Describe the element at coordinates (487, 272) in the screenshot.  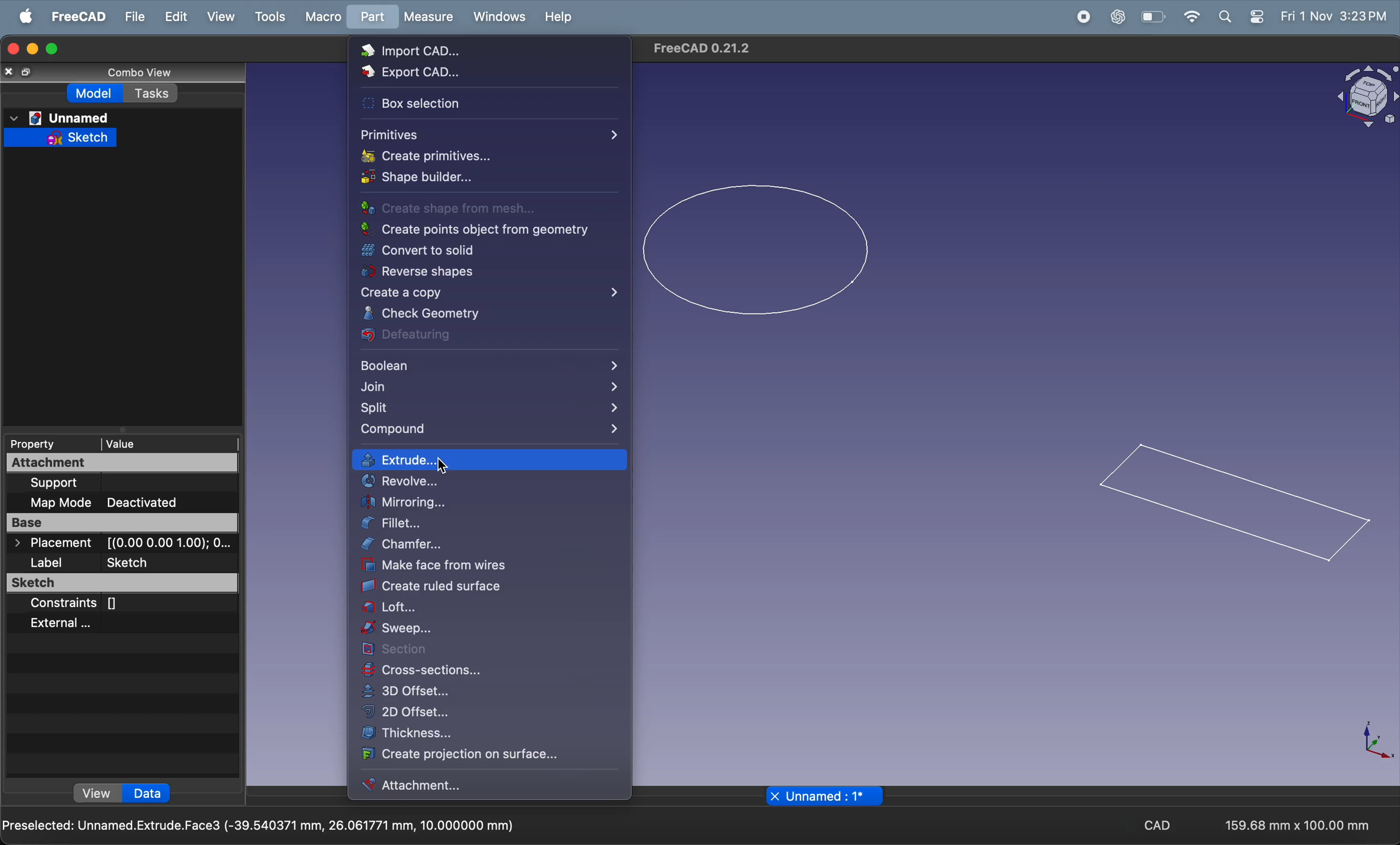
I see `Reverse shapes` at that location.